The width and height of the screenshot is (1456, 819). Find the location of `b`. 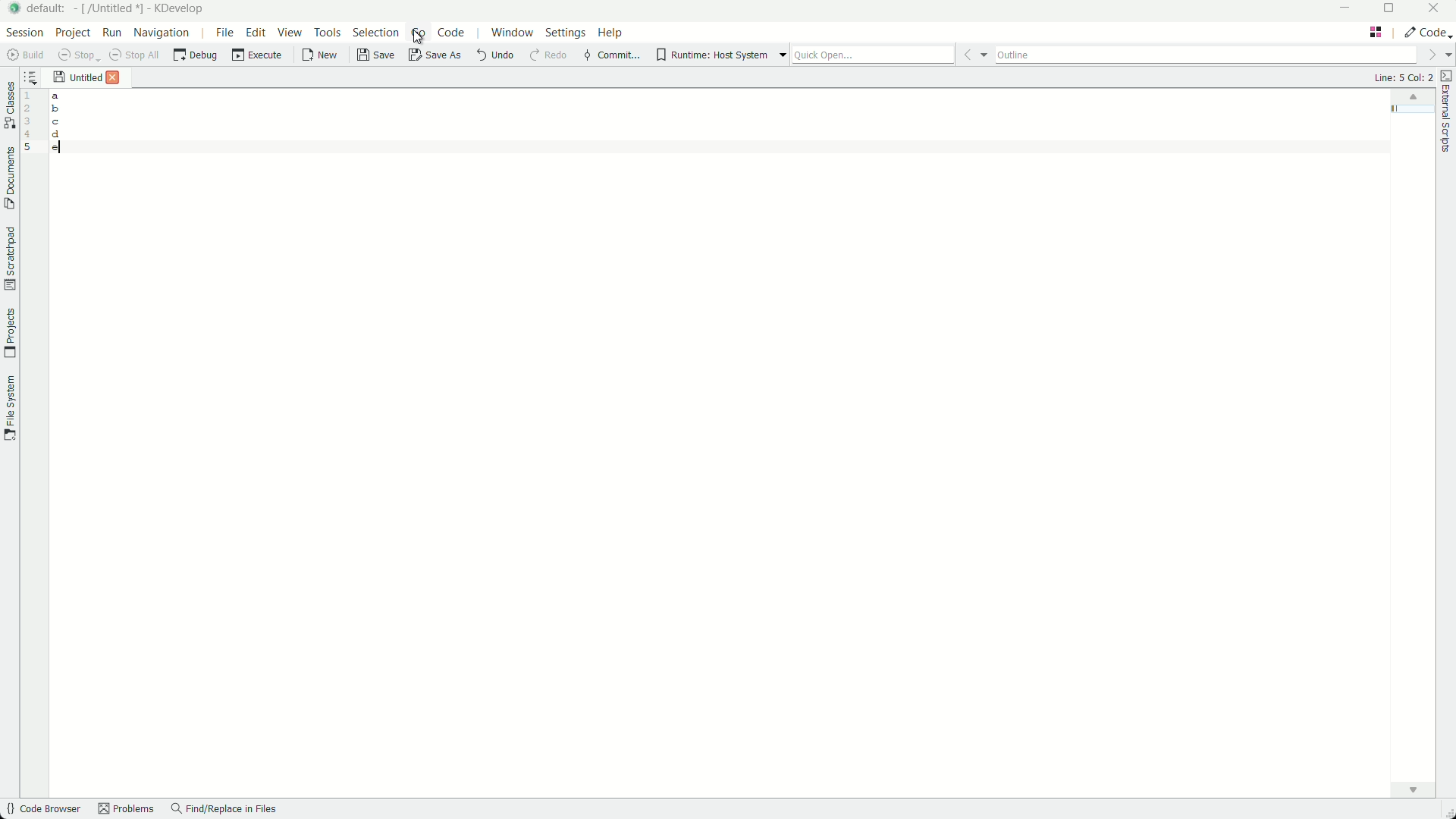

b is located at coordinates (56, 108).